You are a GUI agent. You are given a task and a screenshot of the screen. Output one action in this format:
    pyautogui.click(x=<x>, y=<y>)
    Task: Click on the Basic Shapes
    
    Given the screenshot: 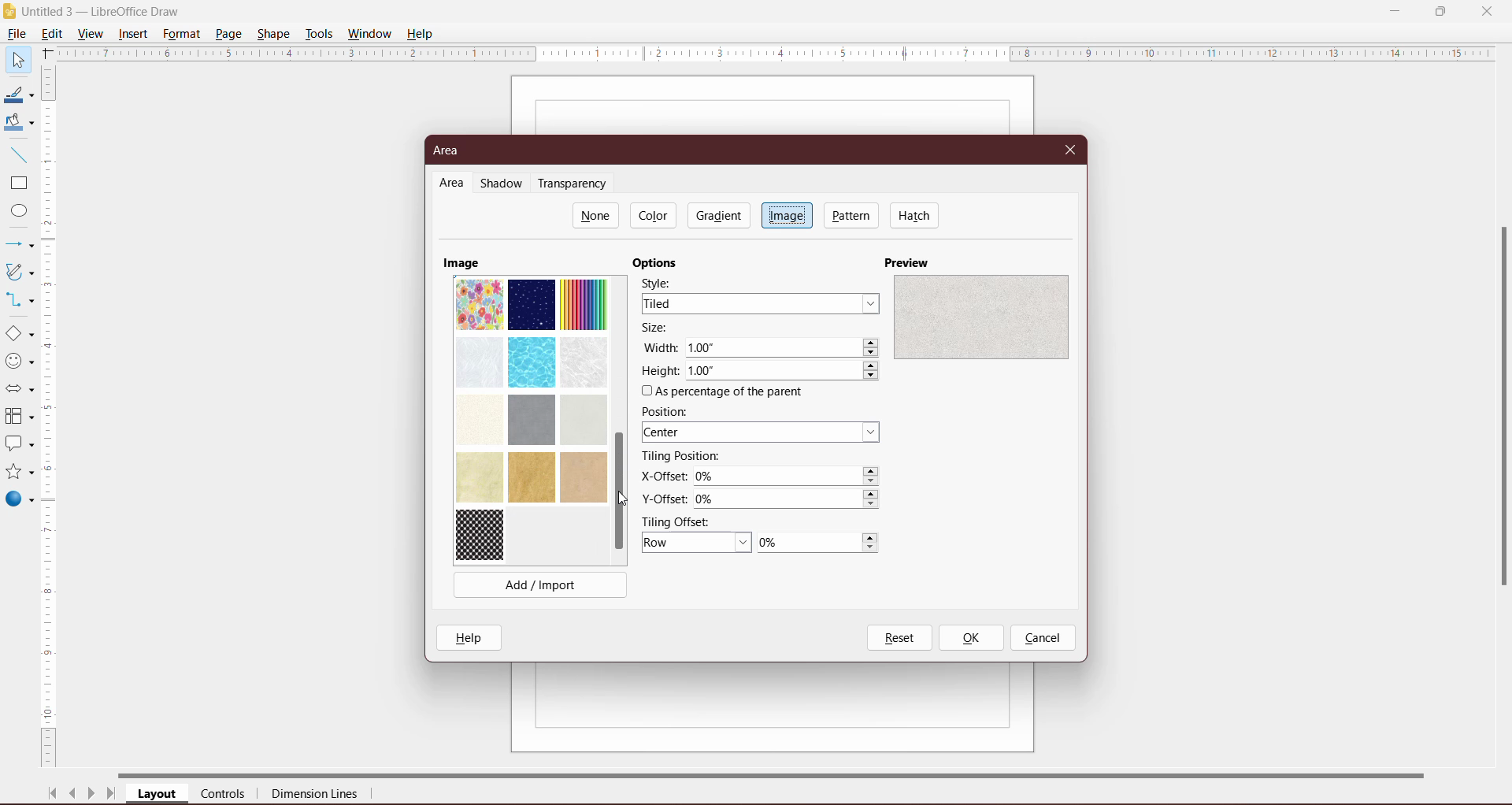 What is the action you would take?
    pyautogui.click(x=19, y=334)
    